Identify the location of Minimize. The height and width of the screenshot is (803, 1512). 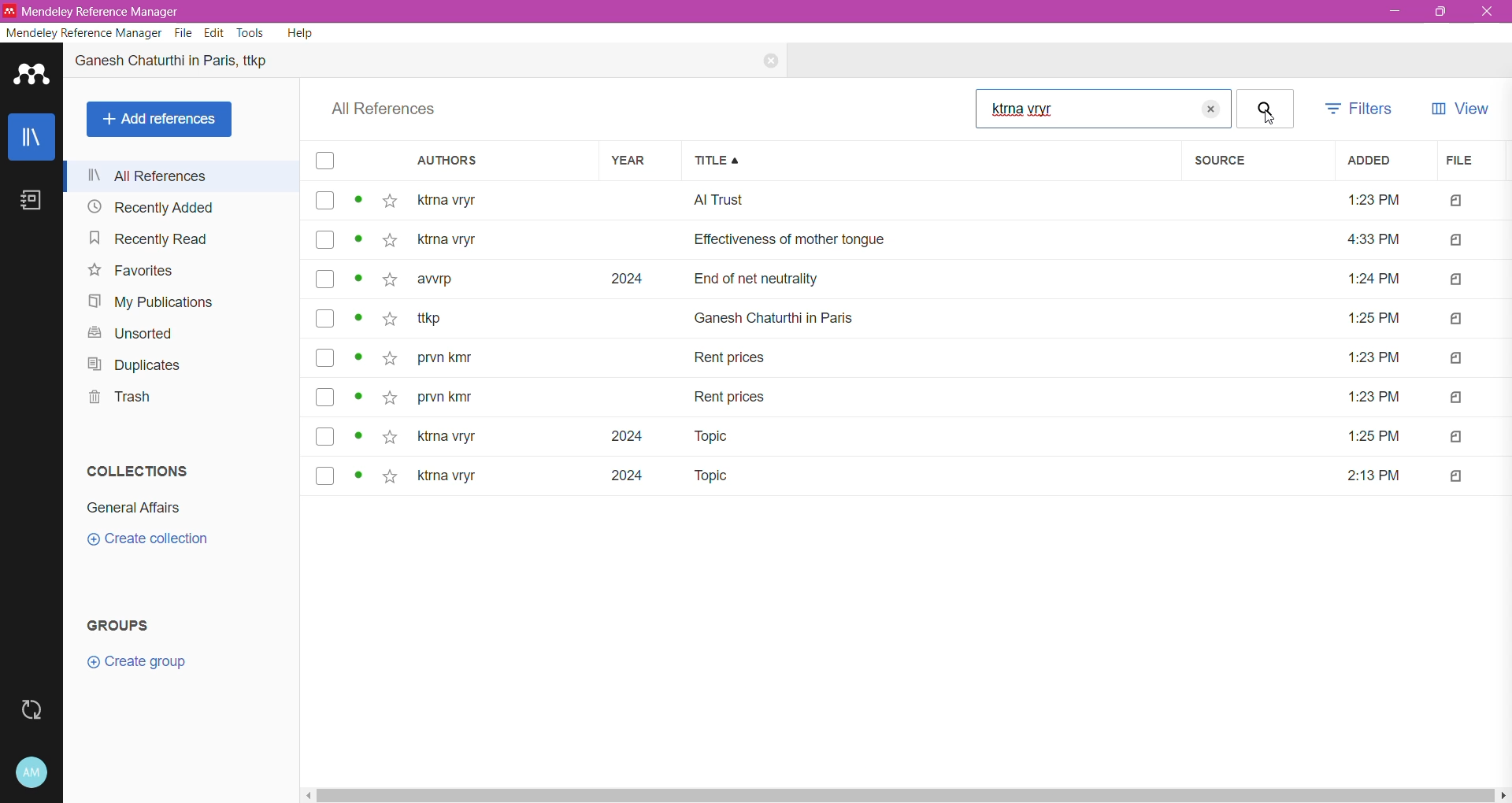
(1391, 13).